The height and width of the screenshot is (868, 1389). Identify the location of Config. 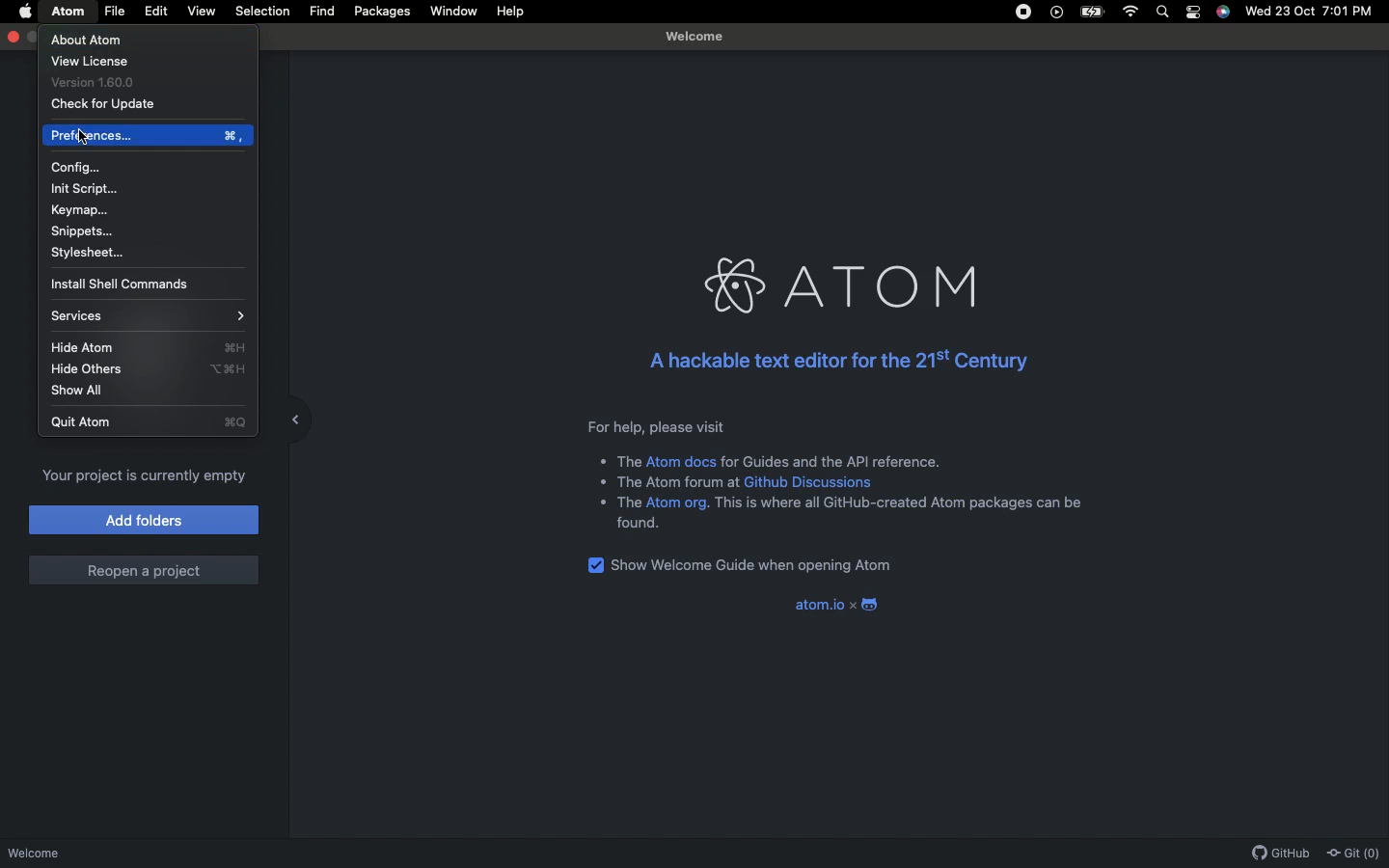
(77, 167).